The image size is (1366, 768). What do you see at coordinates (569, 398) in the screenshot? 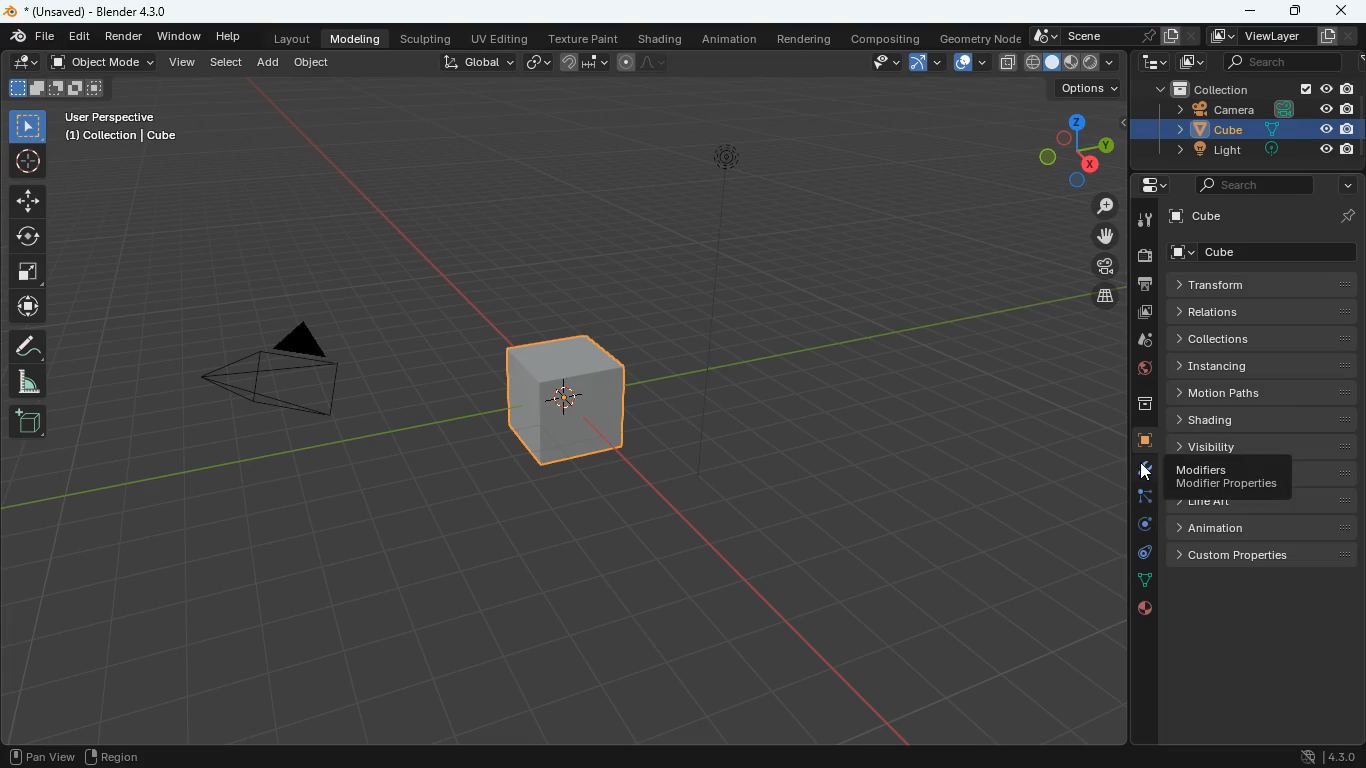
I see `cube` at bounding box center [569, 398].